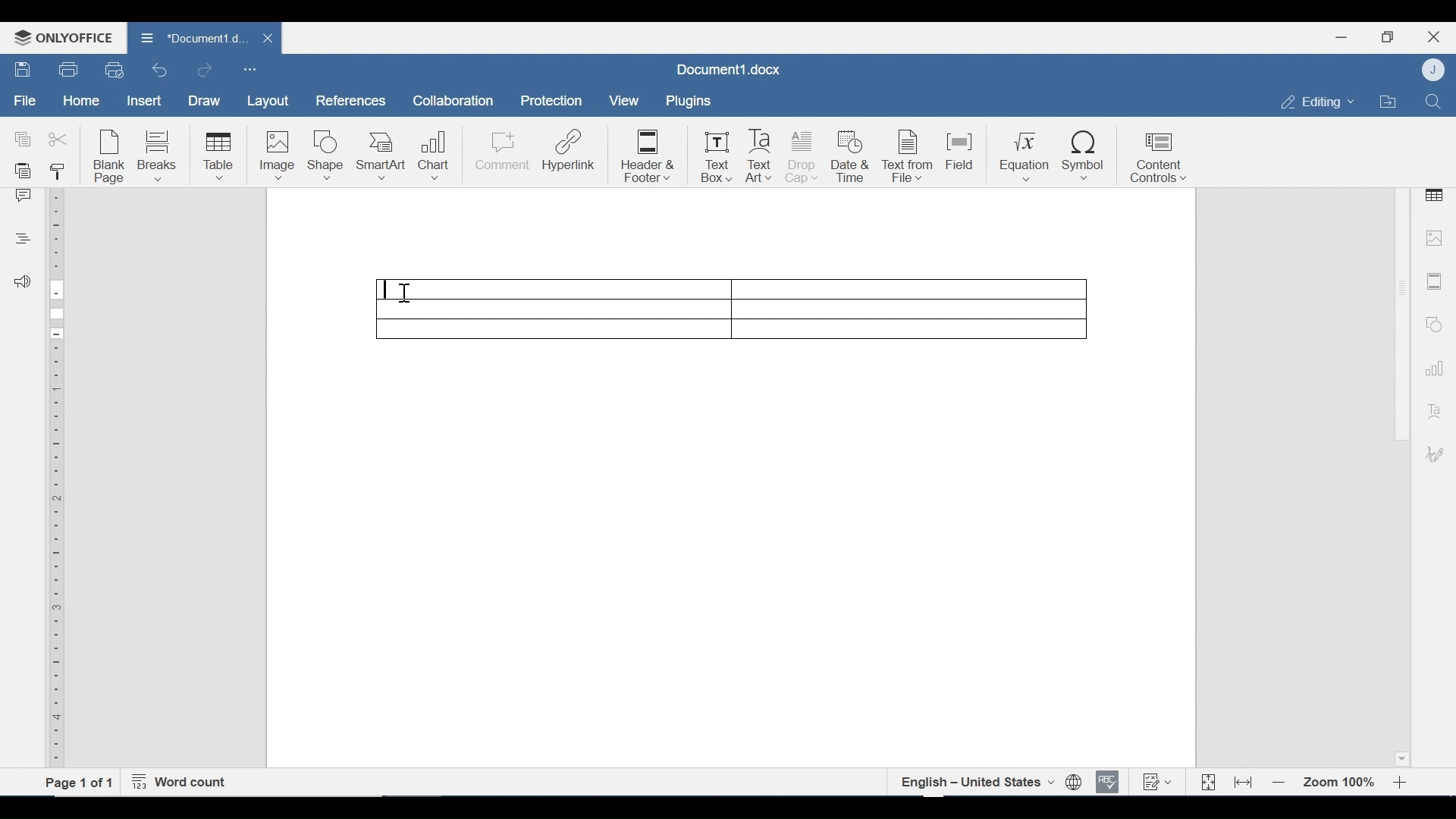 The image size is (1456, 819). What do you see at coordinates (1434, 35) in the screenshot?
I see `Close` at bounding box center [1434, 35].